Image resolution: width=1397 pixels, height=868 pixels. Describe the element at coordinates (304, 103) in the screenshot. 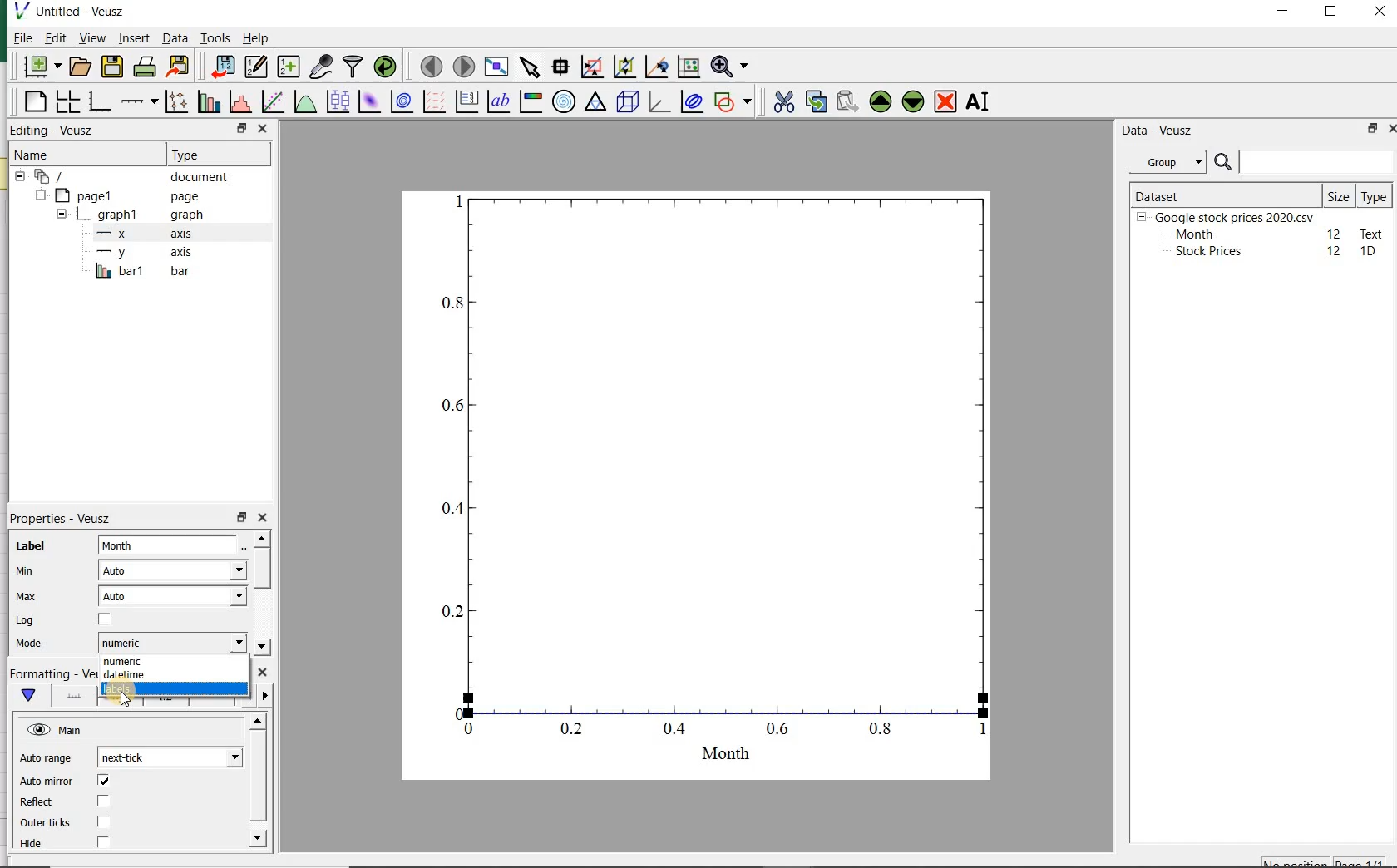

I see `plot a function` at that location.